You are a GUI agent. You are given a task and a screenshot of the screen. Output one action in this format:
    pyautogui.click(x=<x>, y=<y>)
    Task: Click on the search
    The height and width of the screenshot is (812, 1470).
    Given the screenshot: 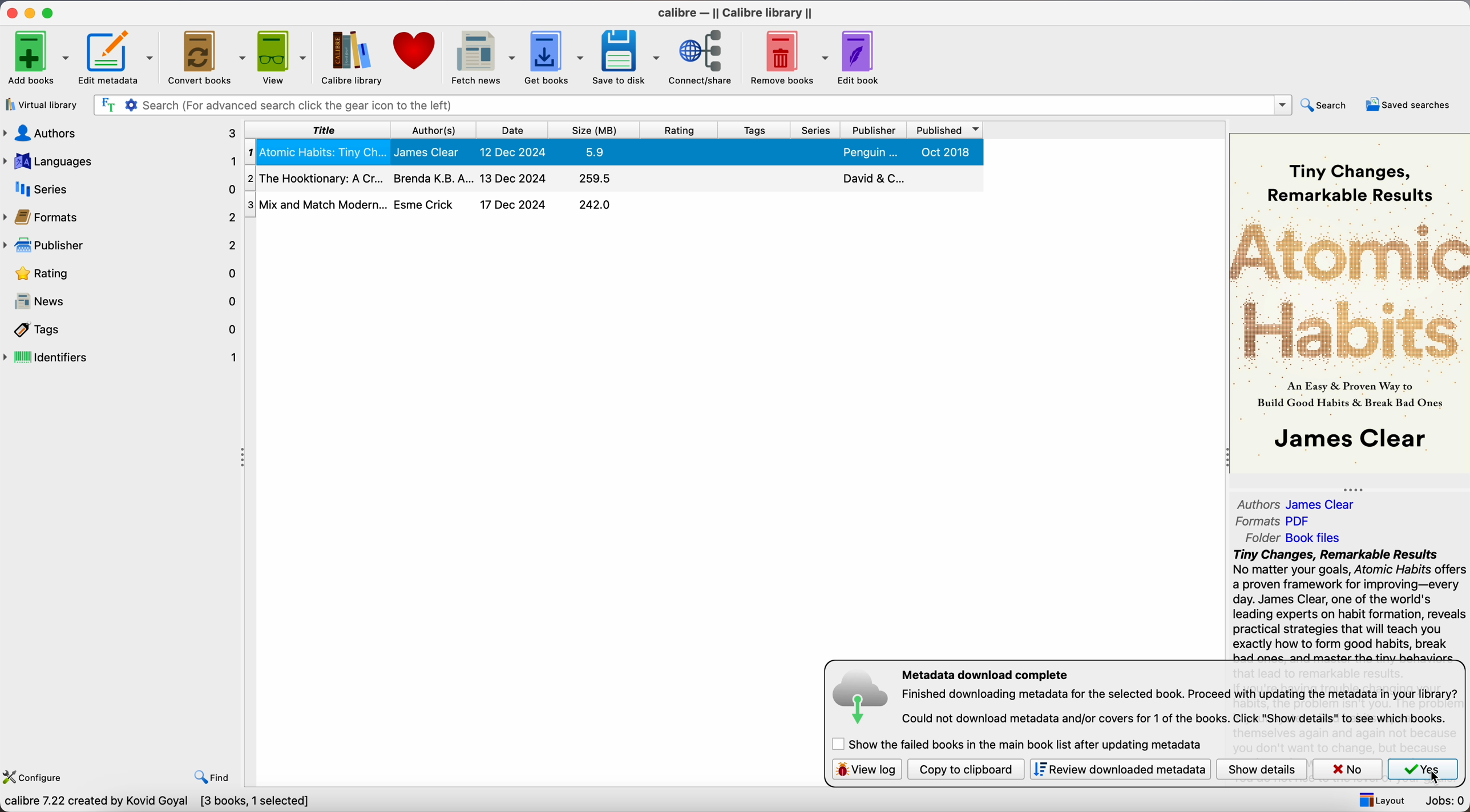 What is the action you would take?
    pyautogui.click(x=1327, y=104)
    